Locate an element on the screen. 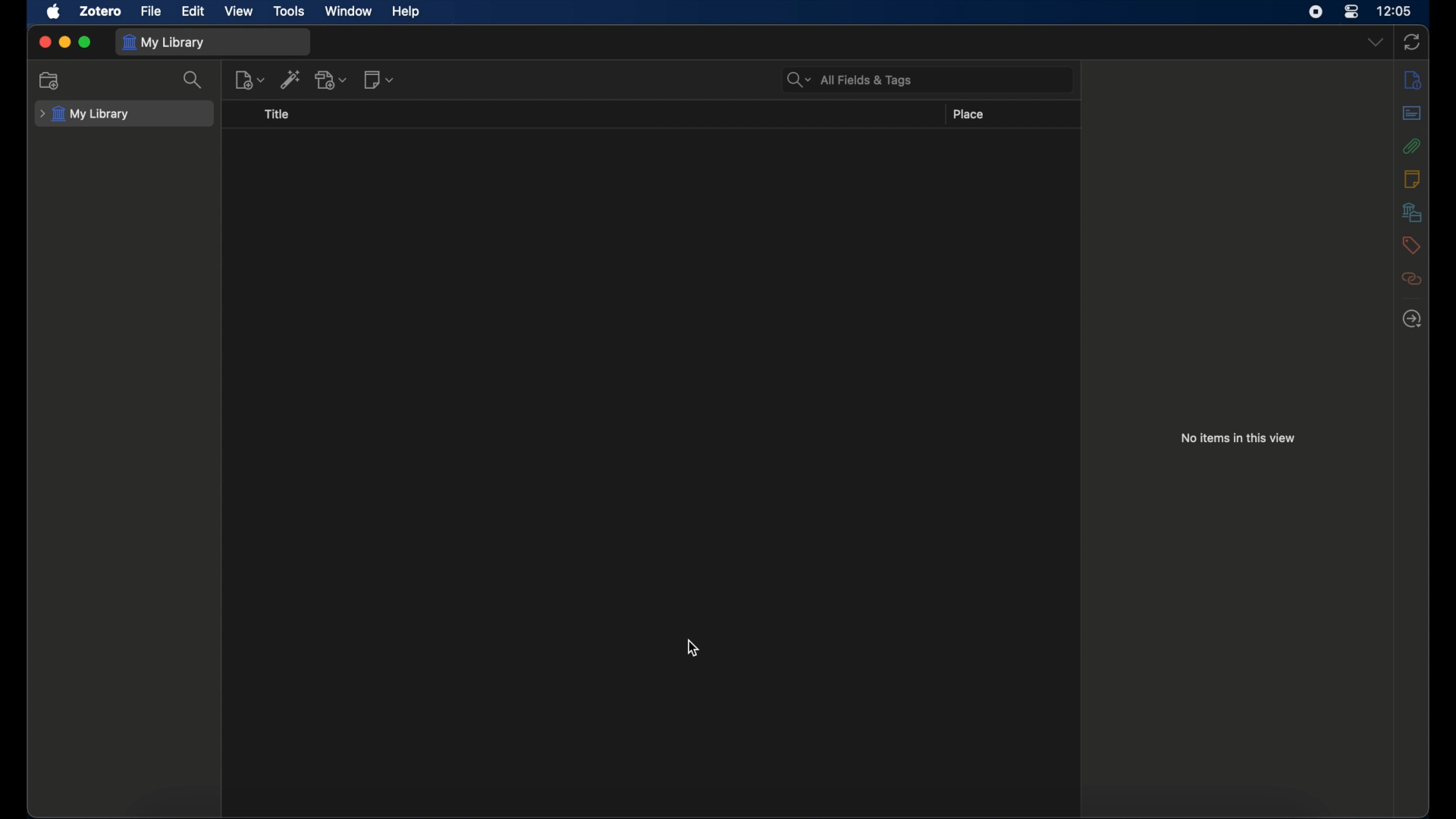 The image size is (1456, 819). attachments is located at coordinates (1411, 146).